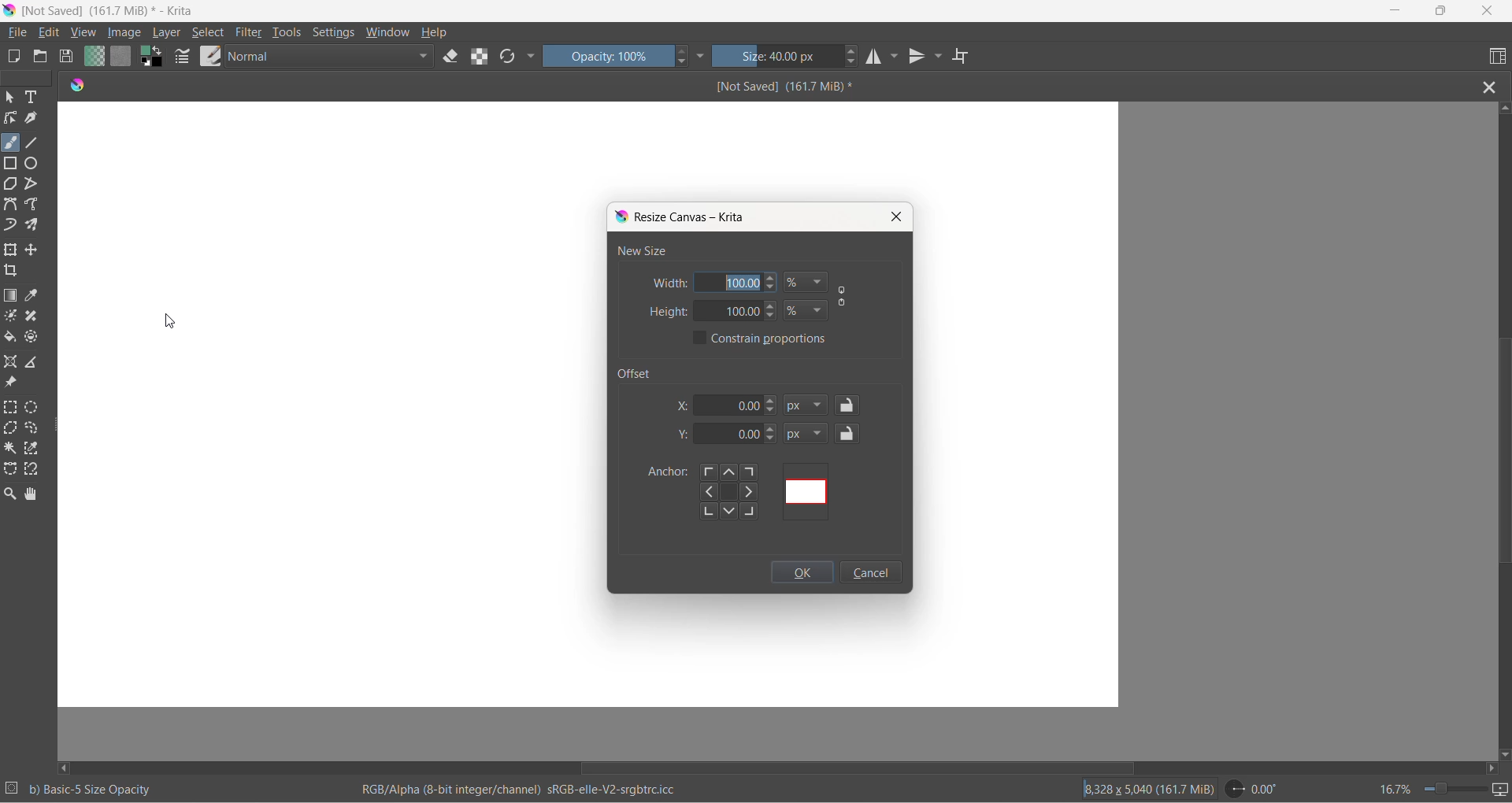 The image size is (1512, 803). I want to click on fill gradient , so click(92, 58).